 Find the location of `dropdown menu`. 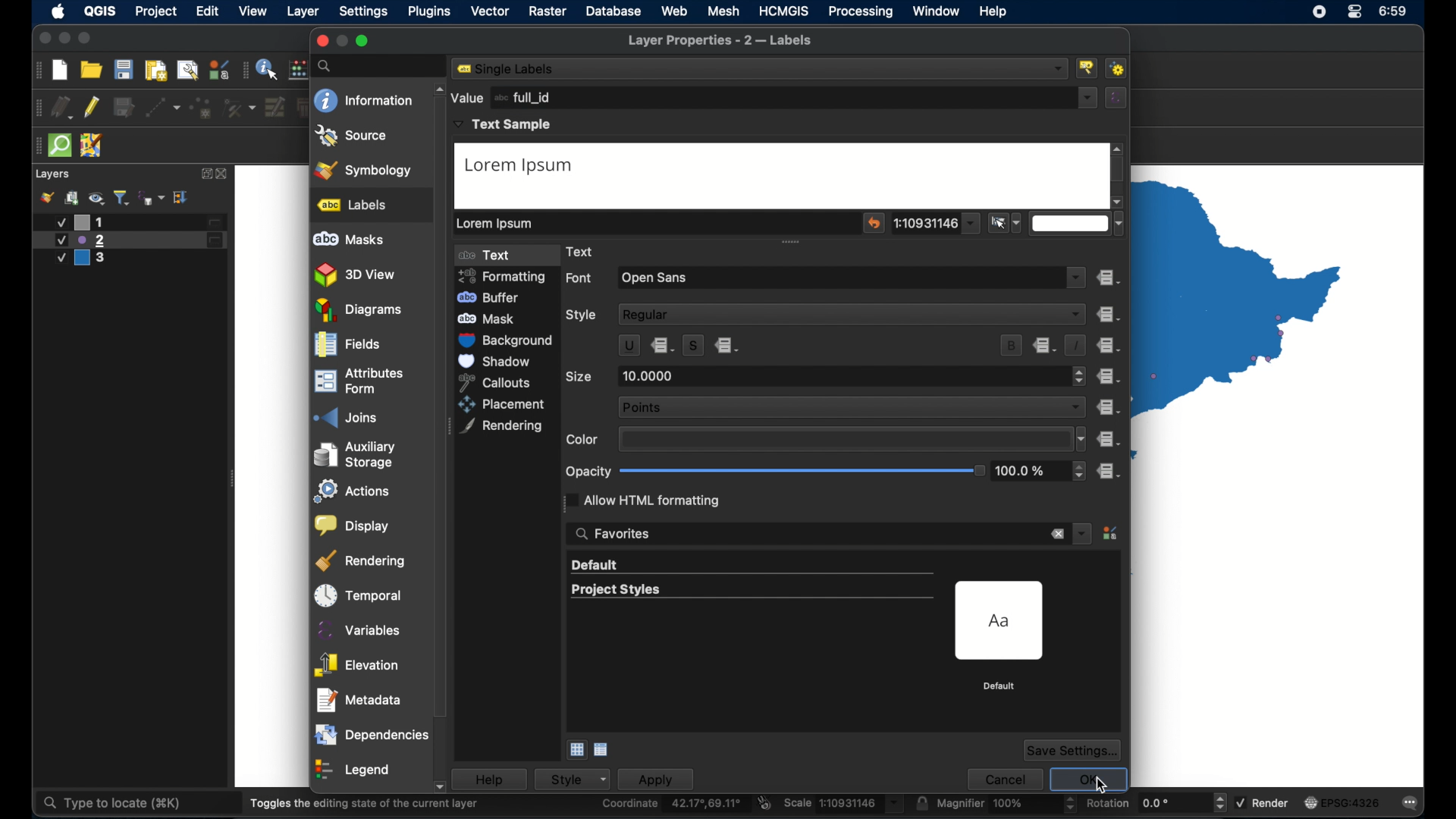

dropdown menu is located at coordinates (1078, 224).